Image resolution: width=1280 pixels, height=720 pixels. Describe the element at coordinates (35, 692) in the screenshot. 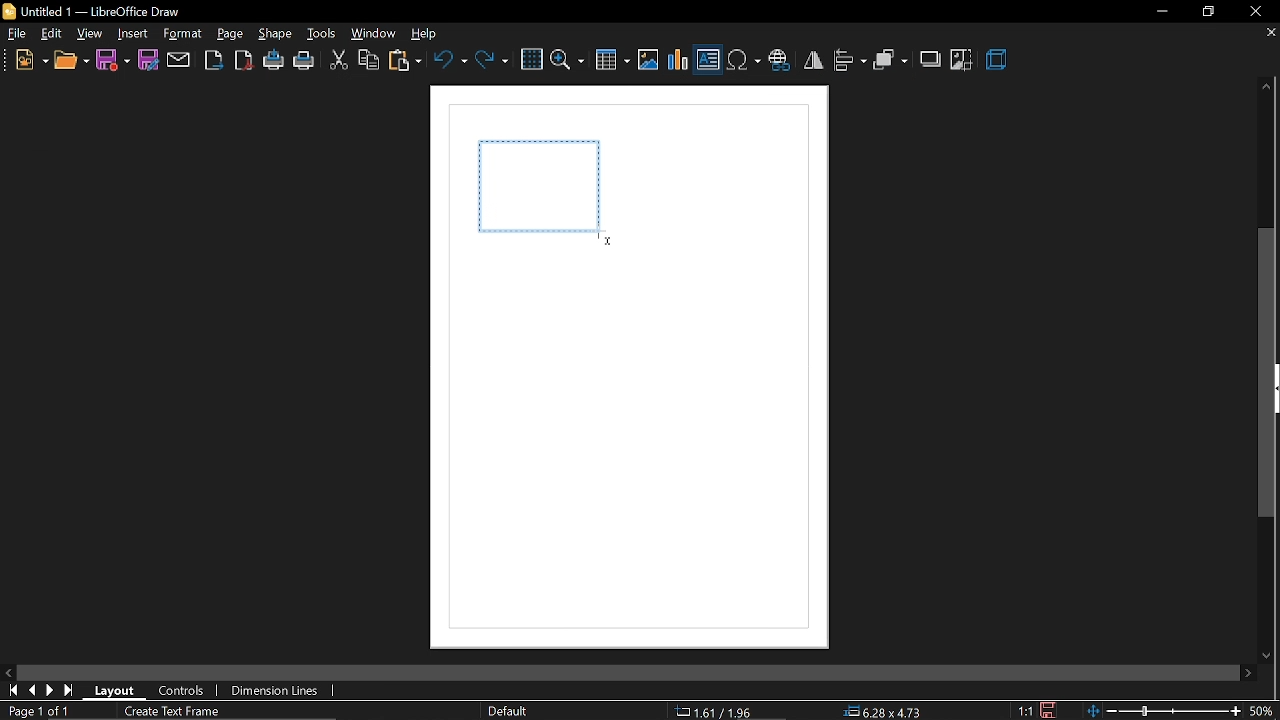

I see `previous page` at that location.